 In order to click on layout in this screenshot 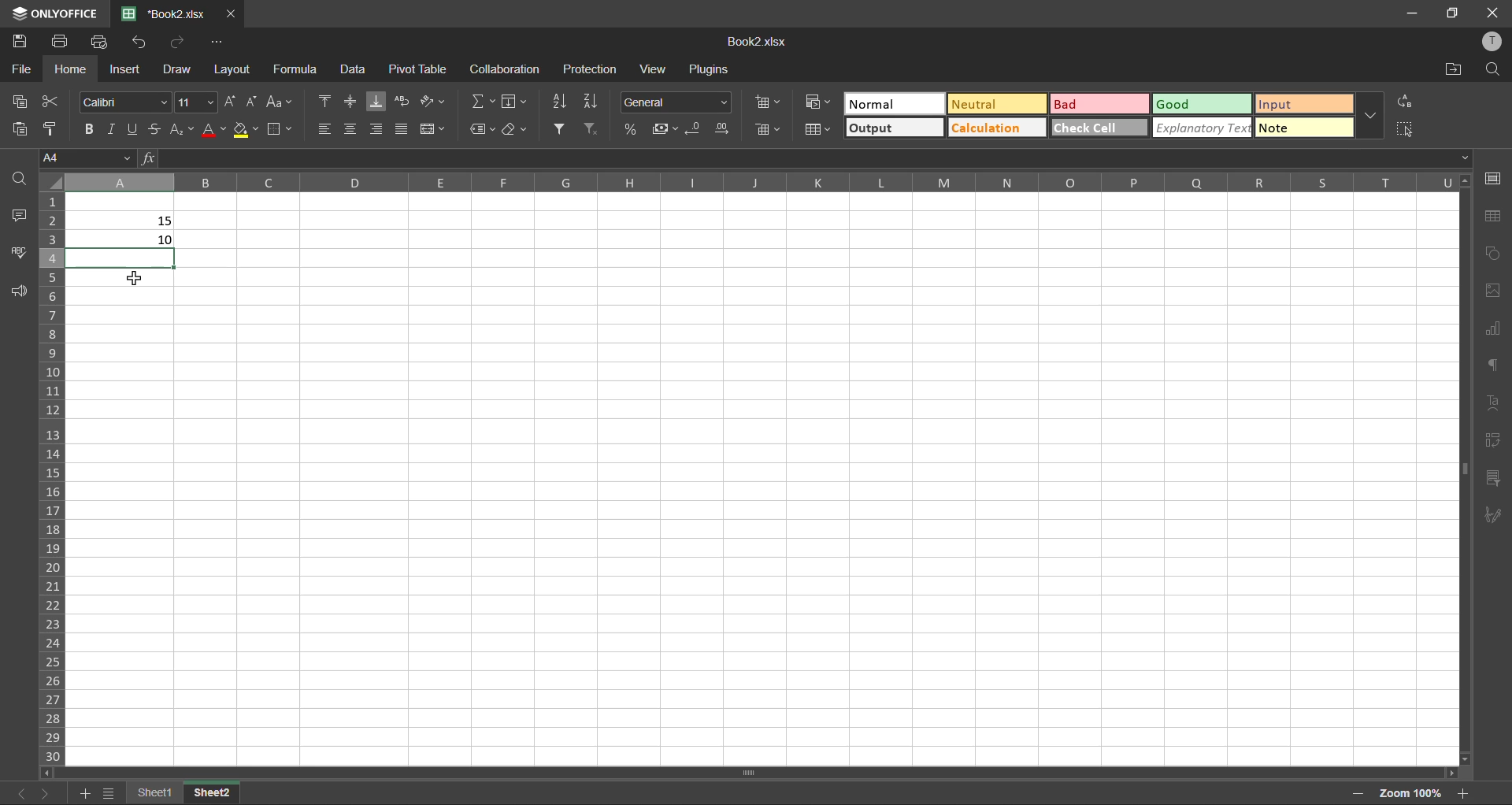, I will do `click(232, 71)`.